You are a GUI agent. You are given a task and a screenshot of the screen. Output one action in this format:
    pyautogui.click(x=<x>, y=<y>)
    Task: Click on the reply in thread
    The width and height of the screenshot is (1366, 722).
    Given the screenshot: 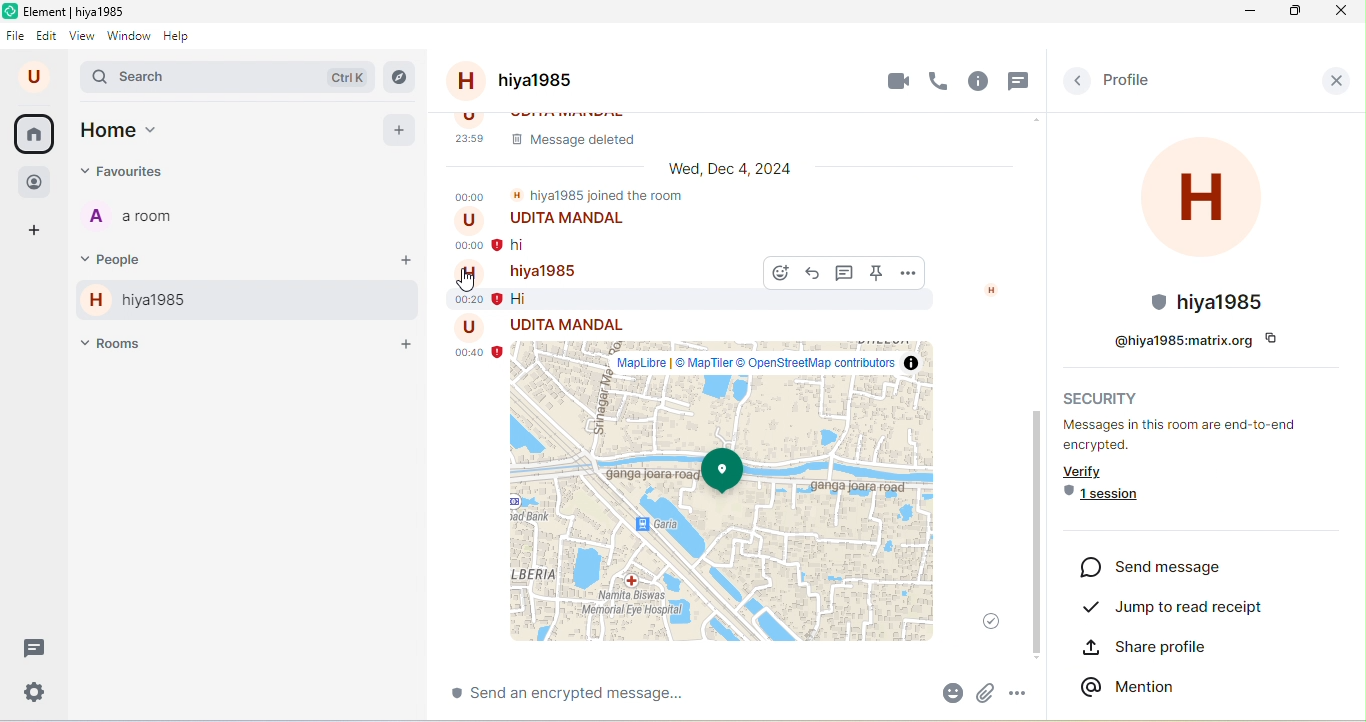 What is the action you would take?
    pyautogui.click(x=814, y=274)
    